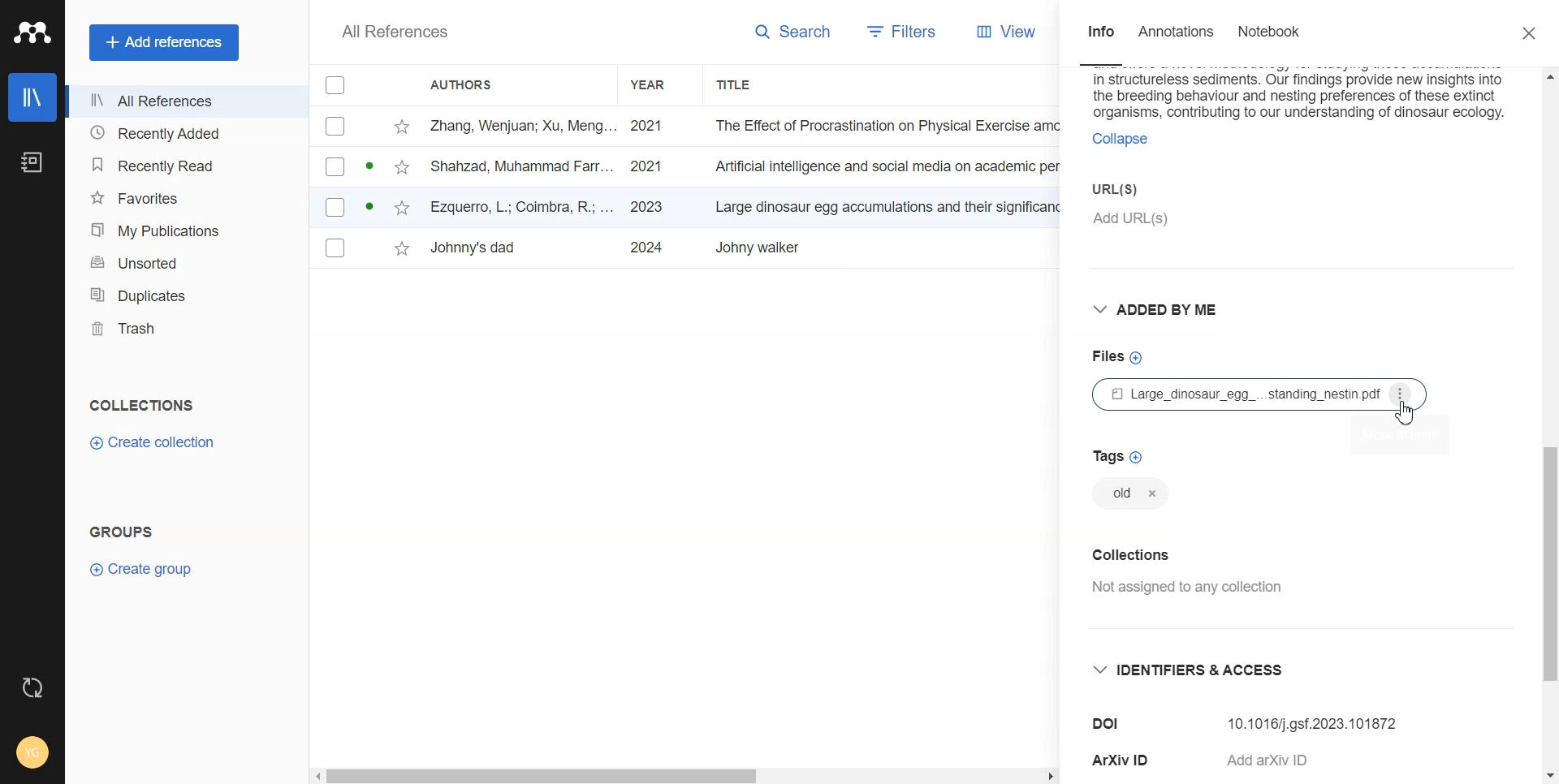 The image size is (1559, 784). I want to click on DOI, so click(1108, 724).